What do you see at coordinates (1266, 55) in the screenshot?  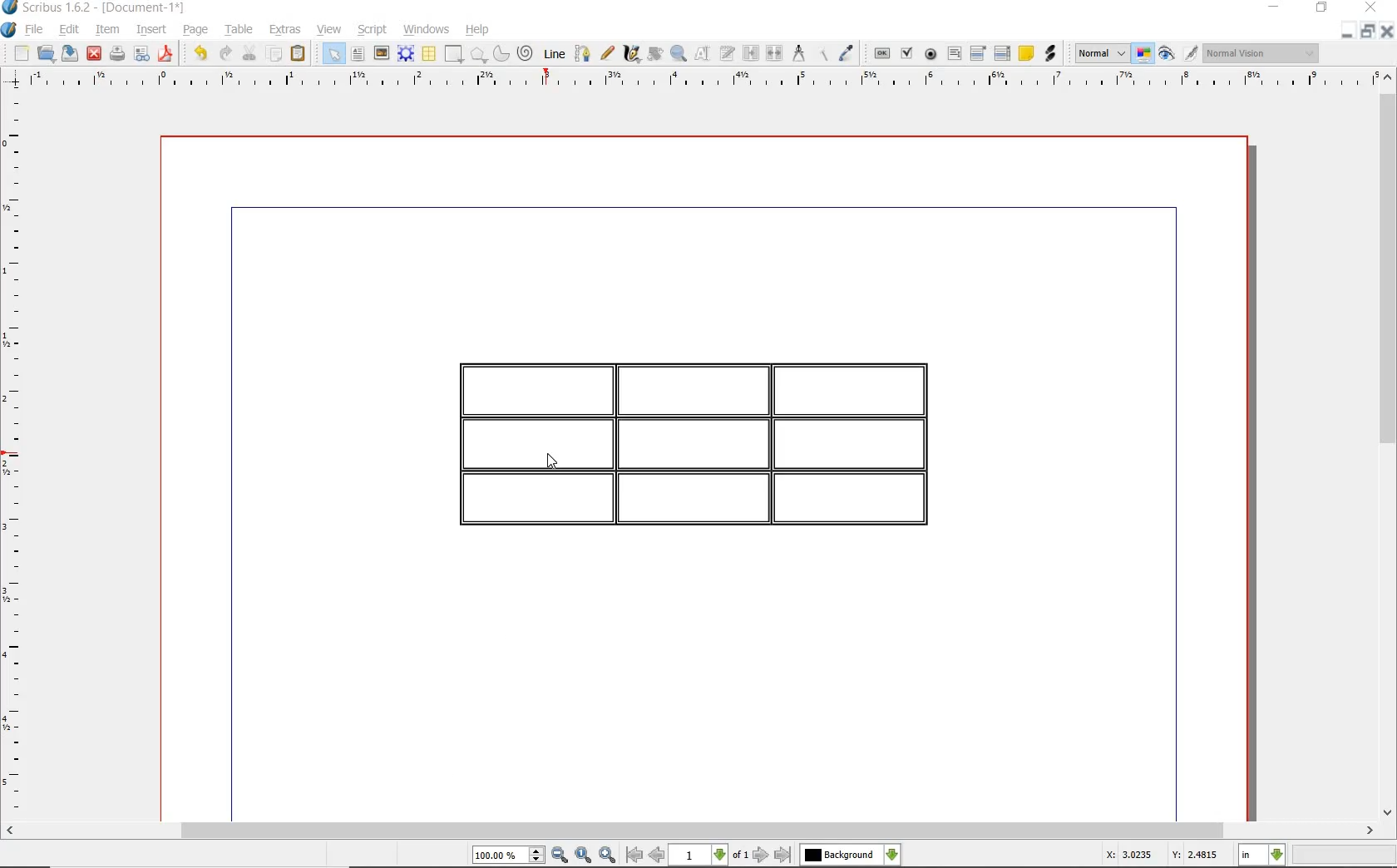 I see `visual appearance of the display` at bounding box center [1266, 55].